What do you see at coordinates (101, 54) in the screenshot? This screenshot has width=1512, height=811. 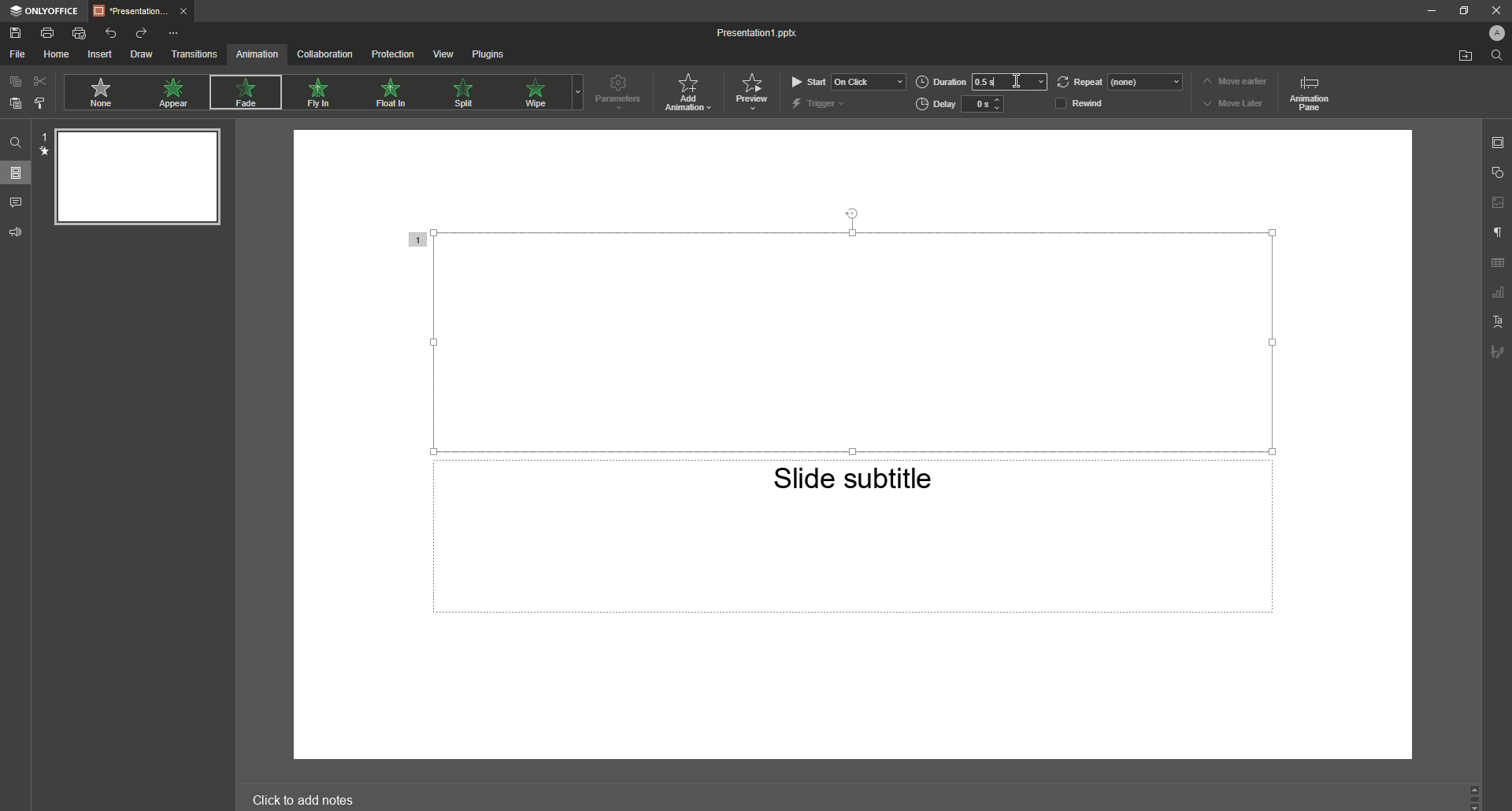 I see `Insert` at bounding box center [101, 54].